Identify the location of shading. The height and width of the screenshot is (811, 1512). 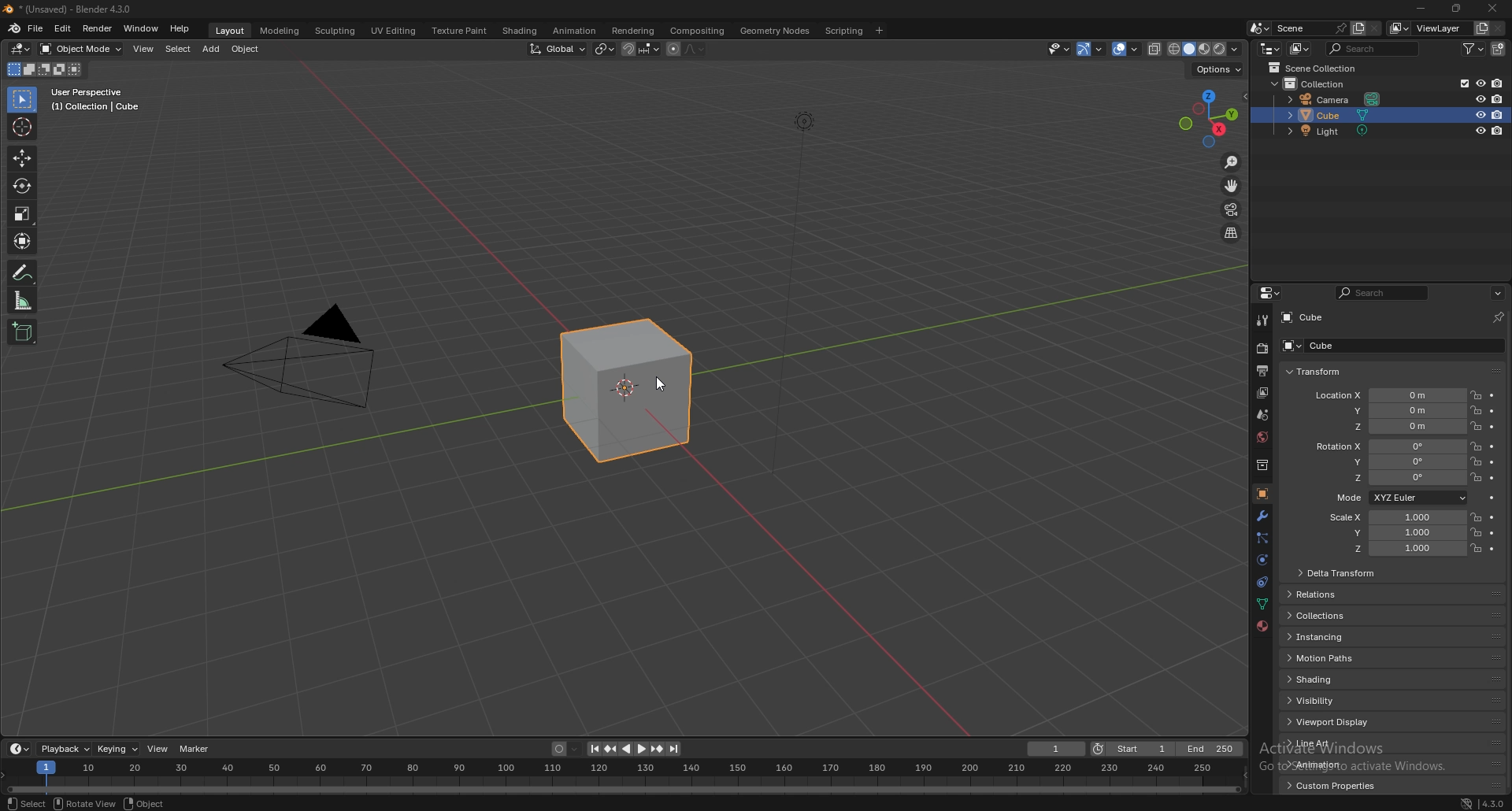
(521, 31).